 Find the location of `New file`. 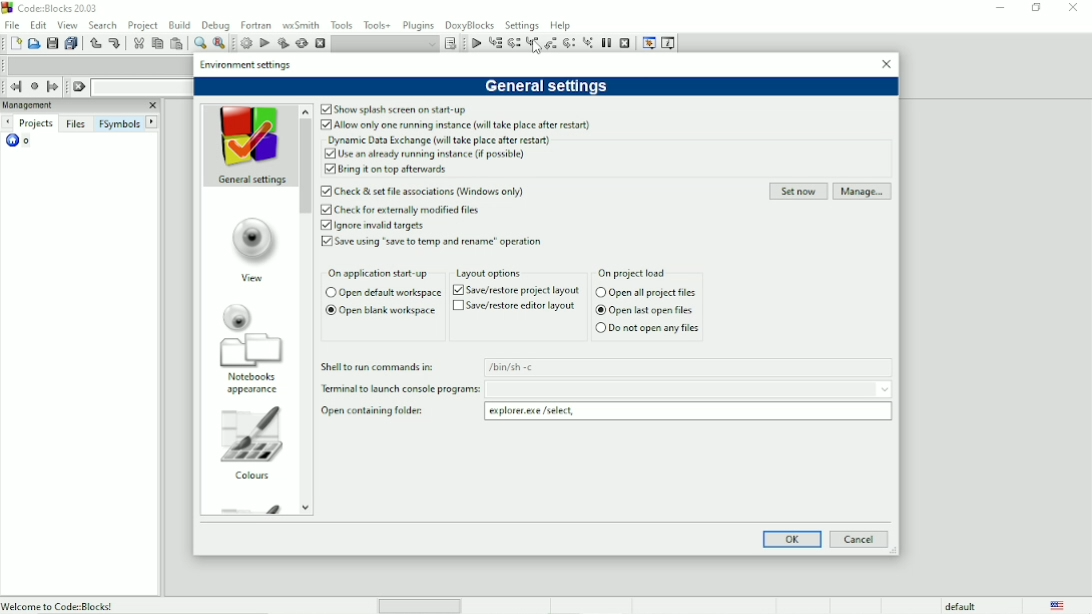

New file is located at coordinates (14, 43).